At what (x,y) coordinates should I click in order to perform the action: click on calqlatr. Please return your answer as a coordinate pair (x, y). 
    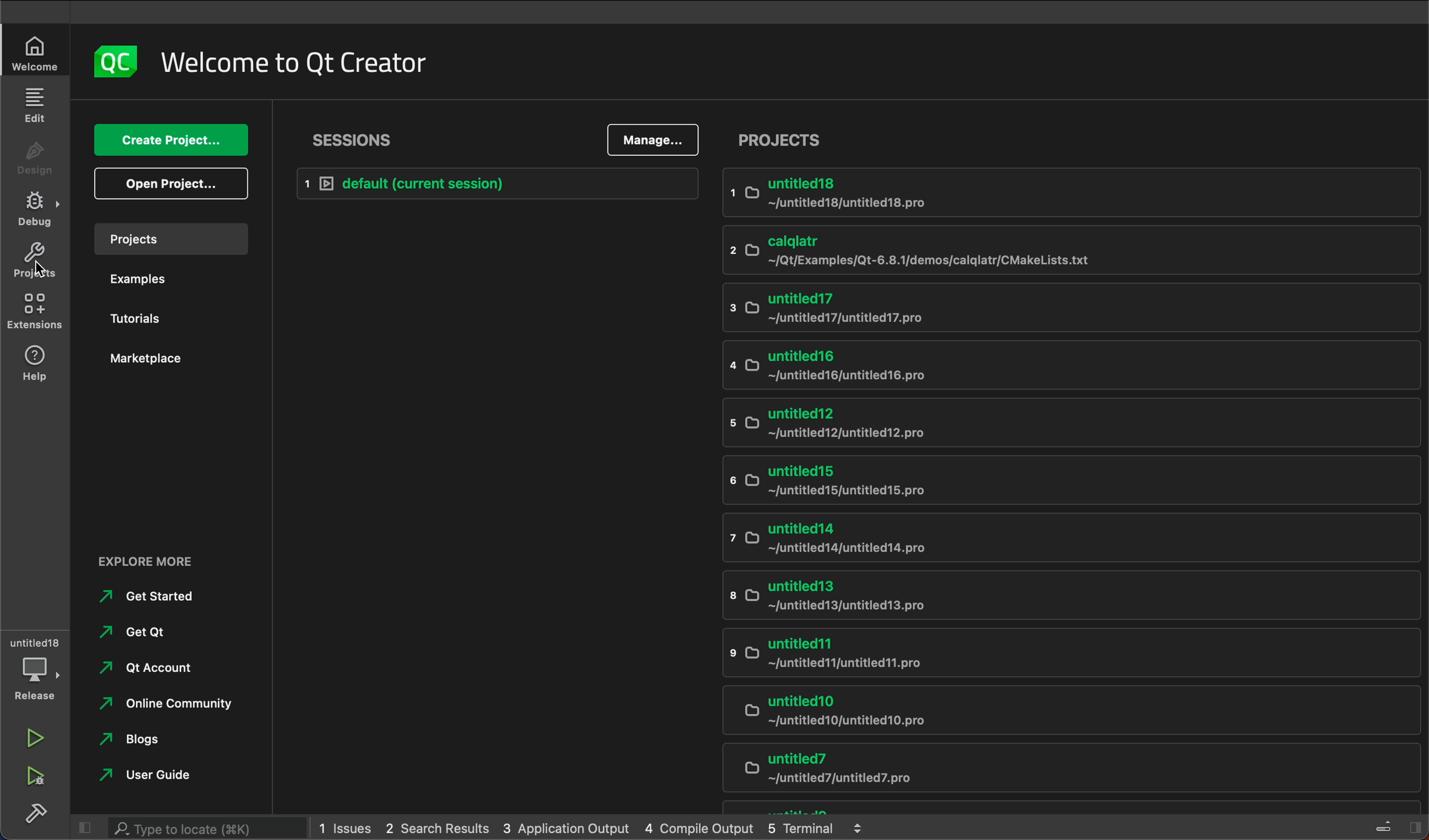
    Looking at the image, I should click on (1059, 250).